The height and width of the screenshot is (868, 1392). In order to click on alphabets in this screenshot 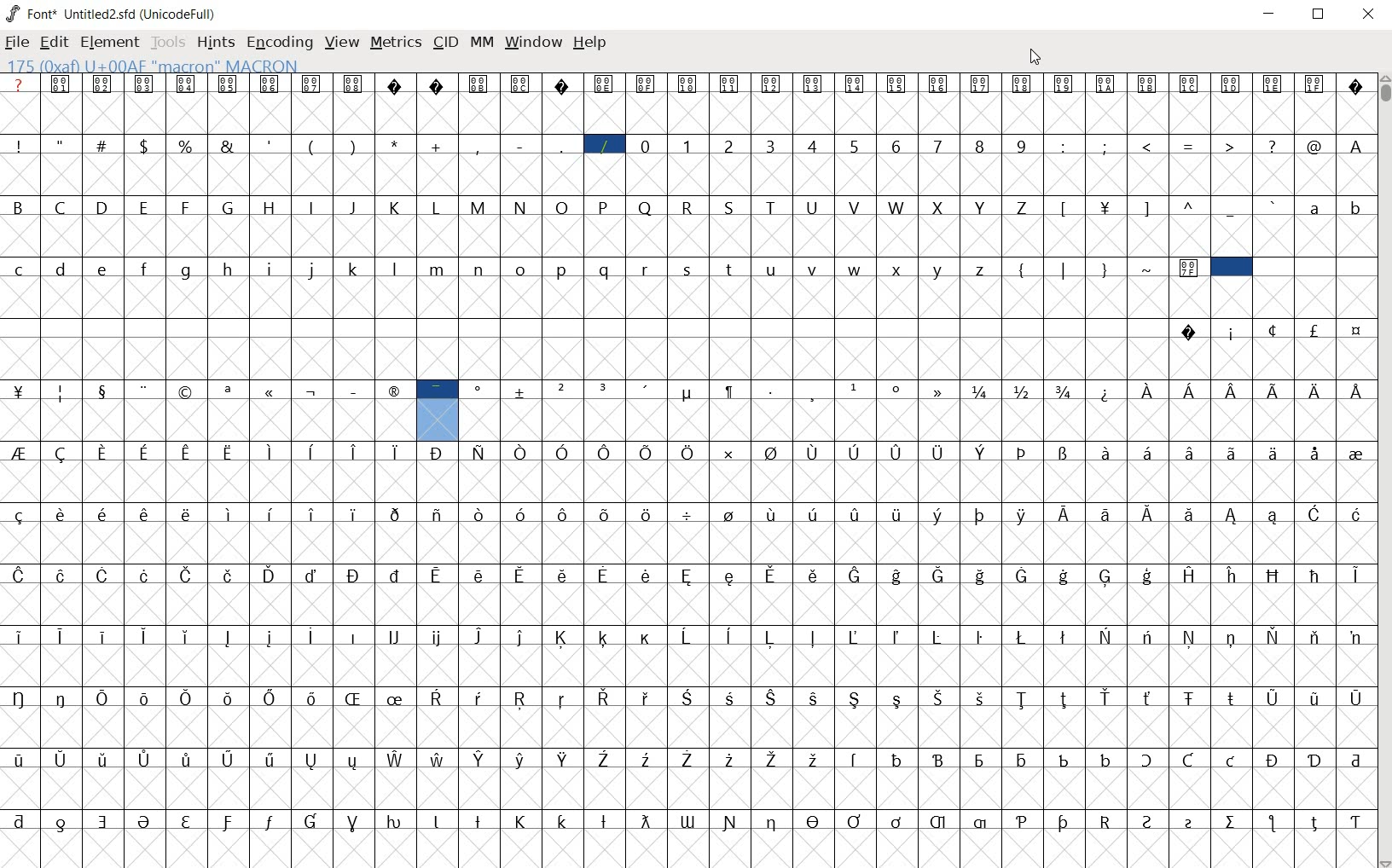, I will do `click(520, 226)`.